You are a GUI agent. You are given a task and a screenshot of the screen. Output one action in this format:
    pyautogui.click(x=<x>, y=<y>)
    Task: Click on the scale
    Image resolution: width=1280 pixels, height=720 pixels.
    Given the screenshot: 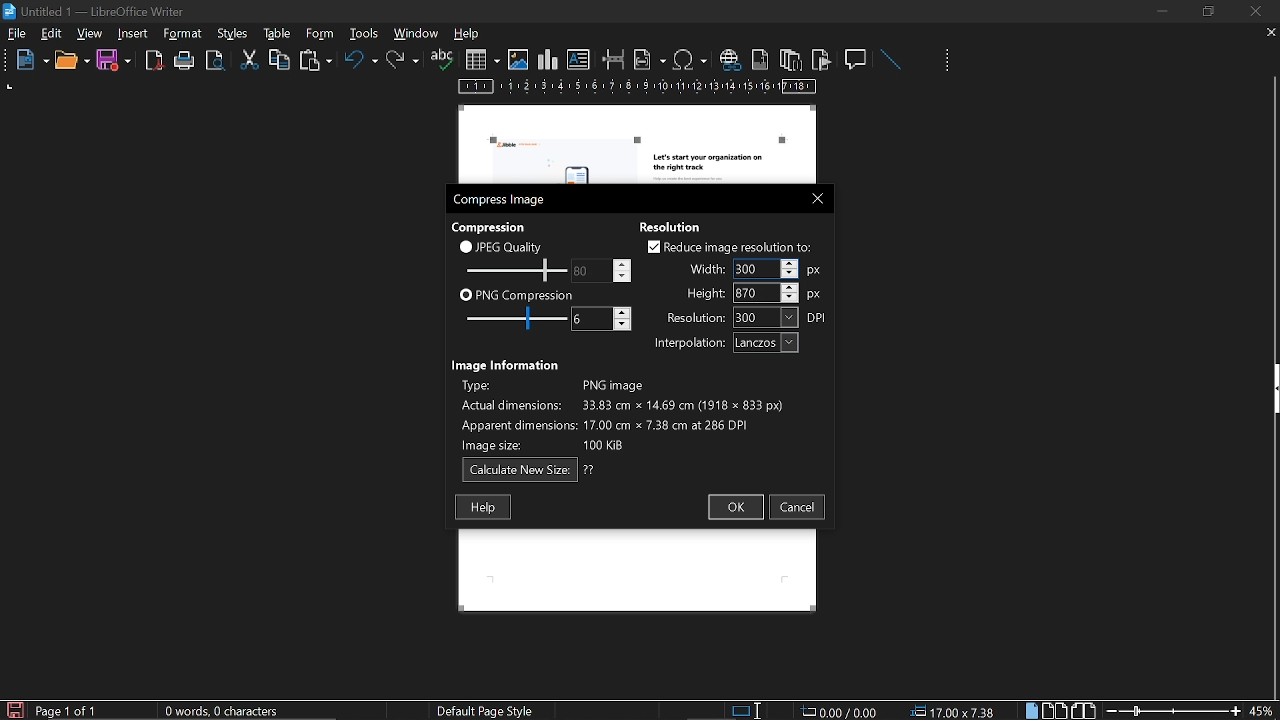 What is the action you would take?
    pyautogui.click(x=638, y=88)
    